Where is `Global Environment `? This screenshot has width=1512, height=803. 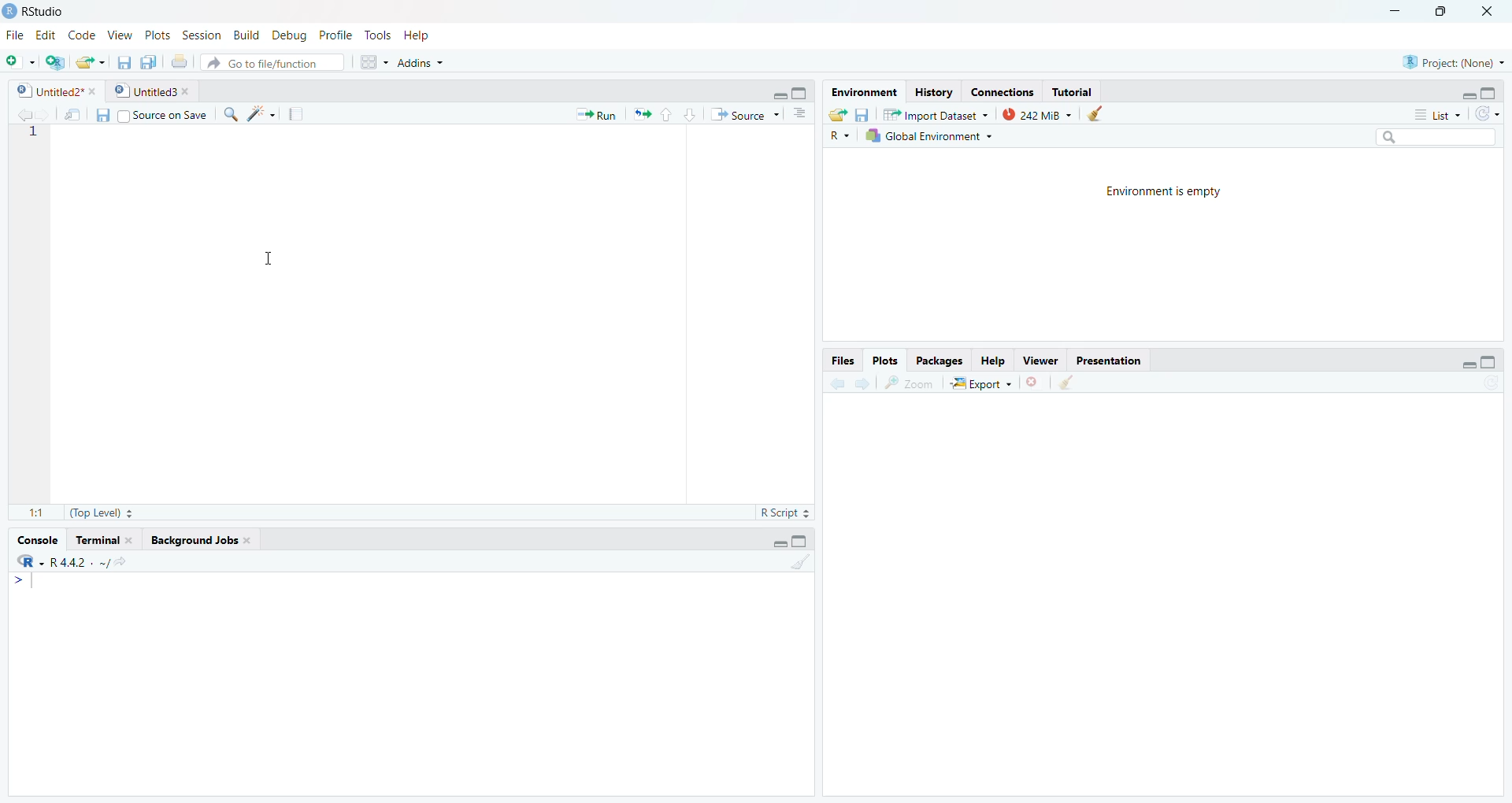
Global Environment  is located at coordinates (936, 135).